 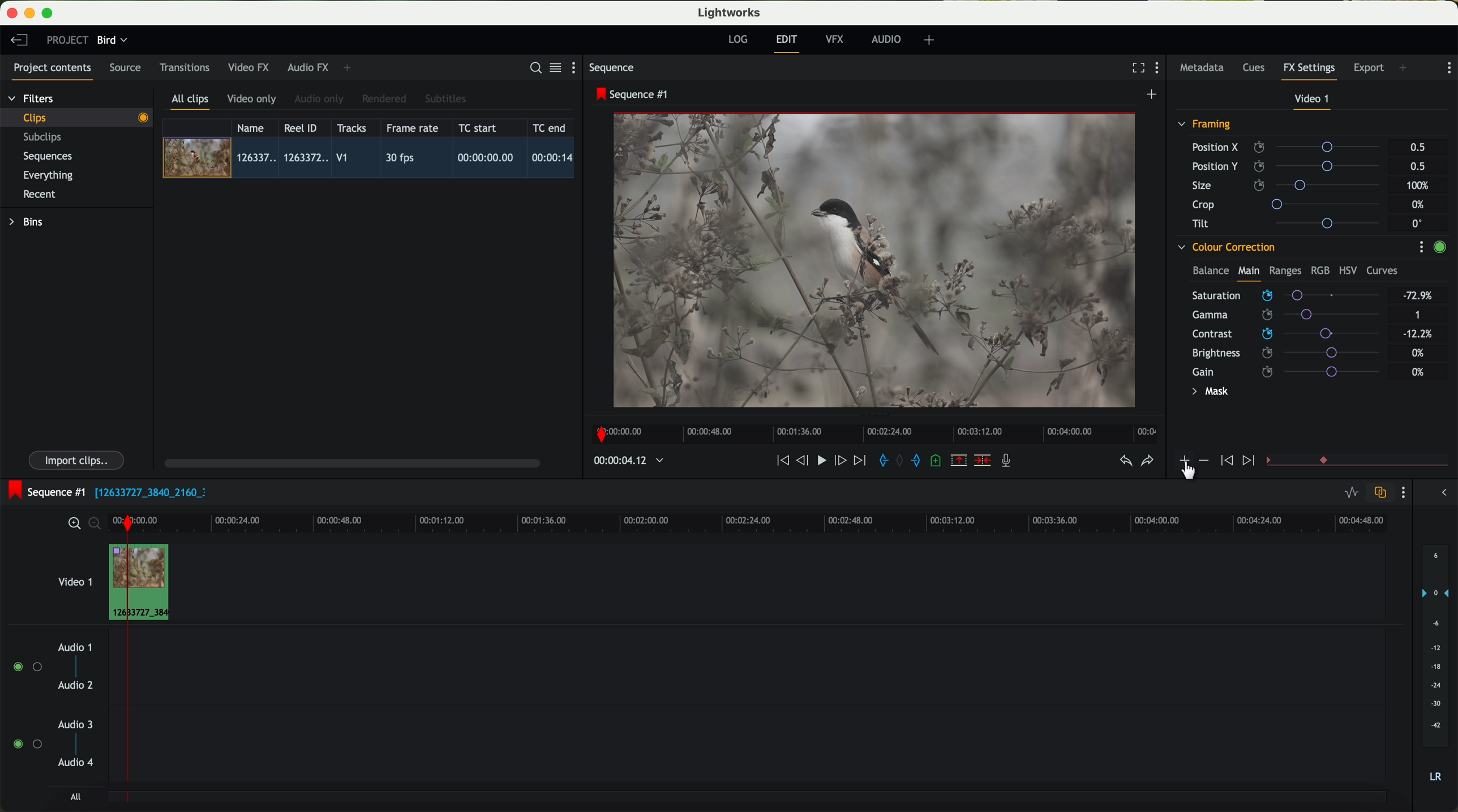 I want to click on colour correction, so click(x=1225, y=247).